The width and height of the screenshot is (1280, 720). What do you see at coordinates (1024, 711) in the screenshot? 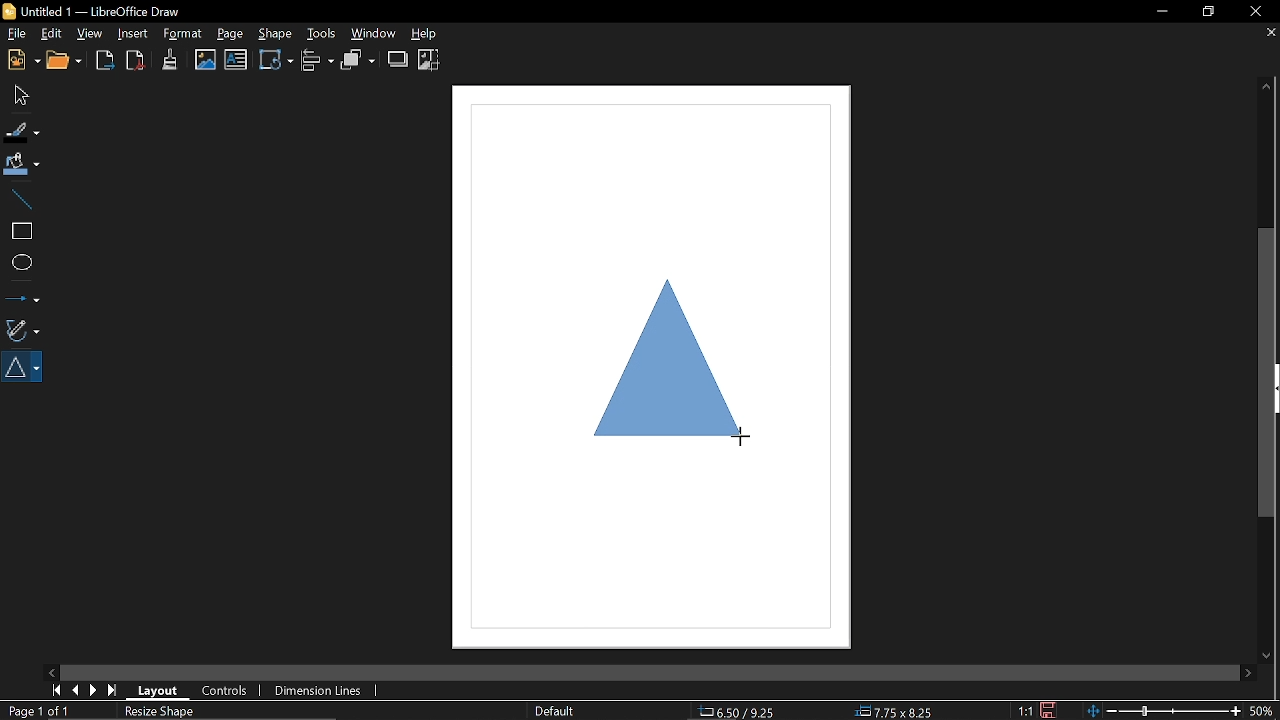
I see `Scaling factor` at bounding box center [1024, 711].